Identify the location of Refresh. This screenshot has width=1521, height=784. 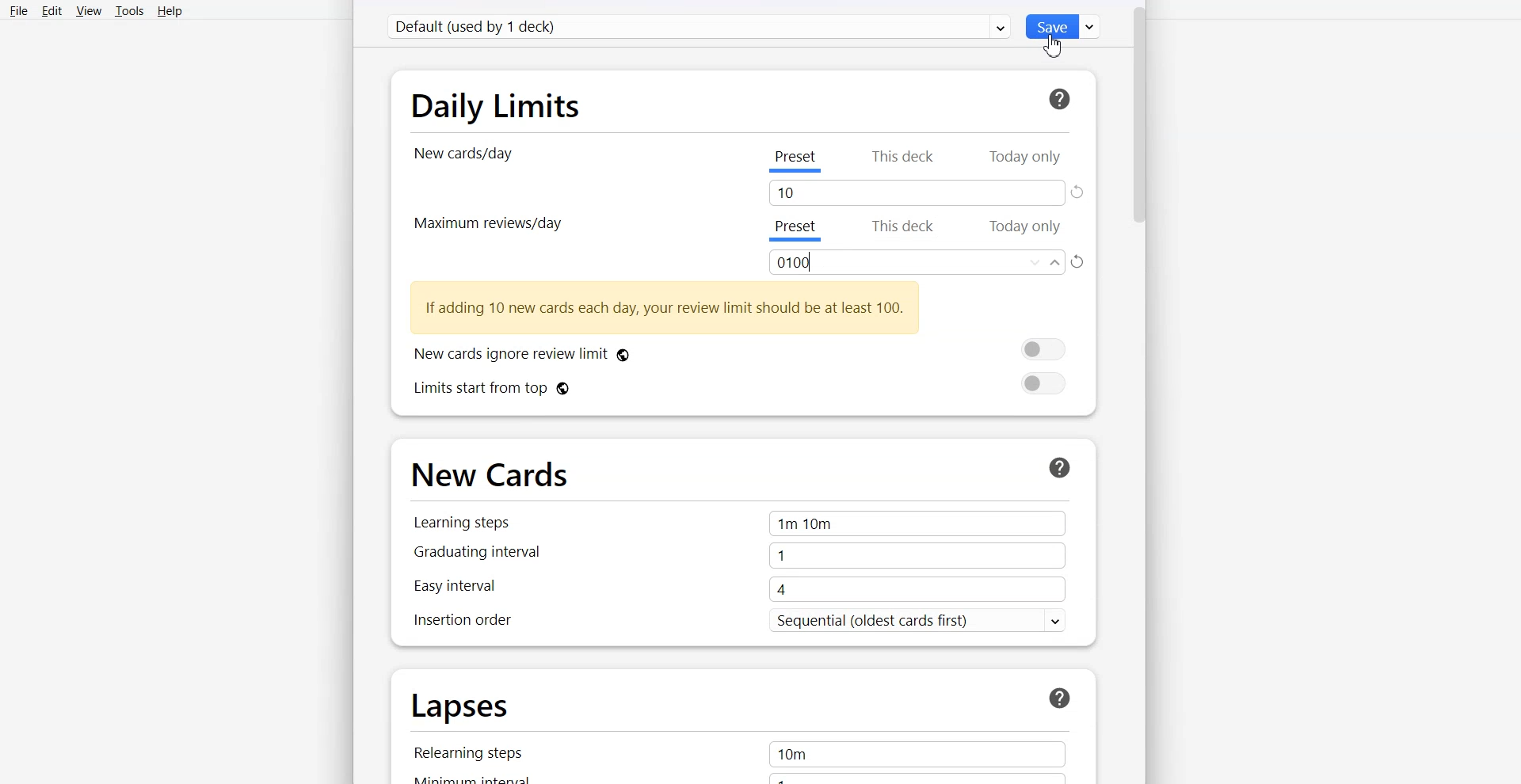
(1079, 193).